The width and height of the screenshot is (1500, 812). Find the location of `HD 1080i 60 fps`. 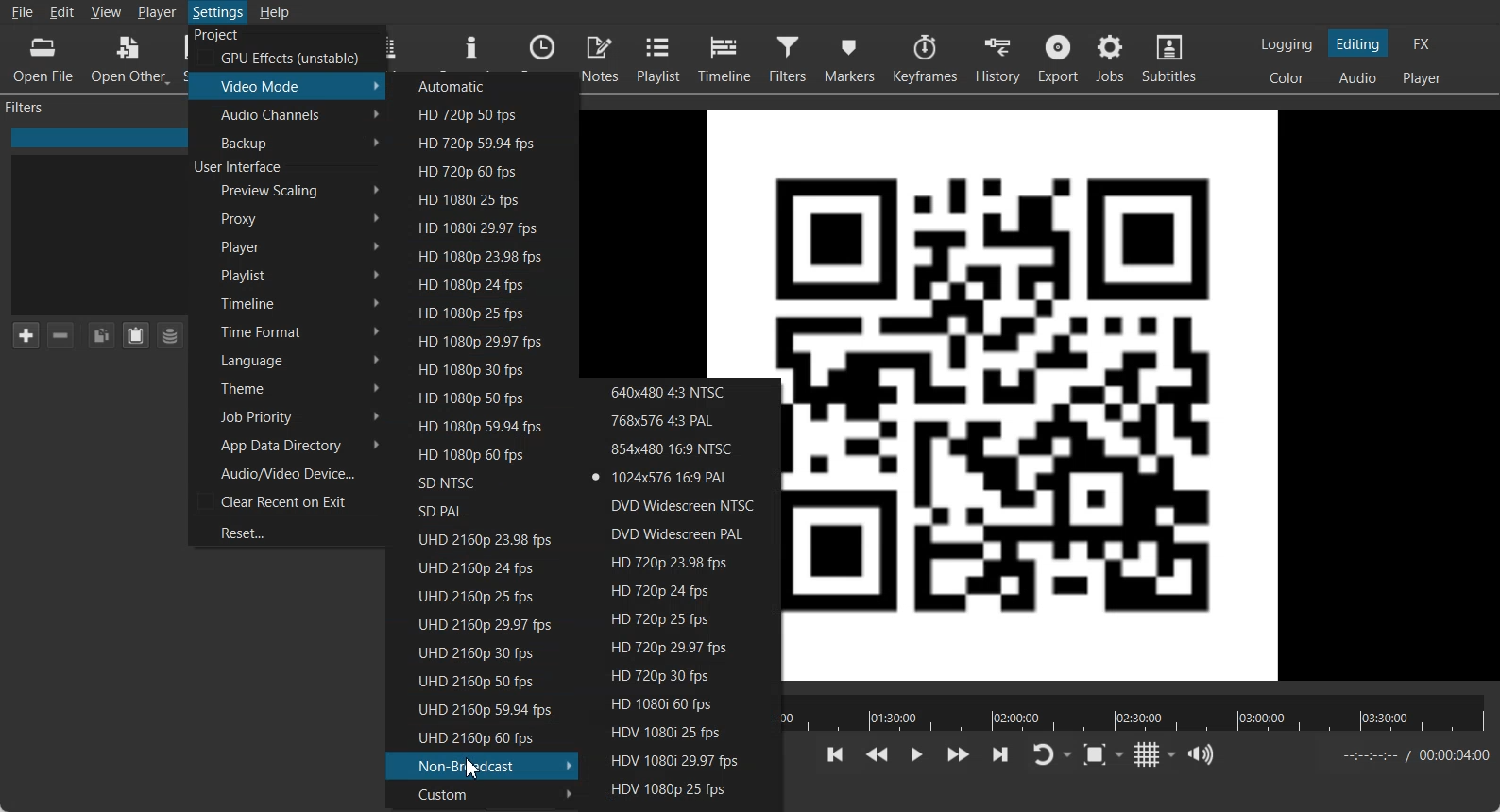

HD 1080i 60 fps is located at coordinates (682, 705).